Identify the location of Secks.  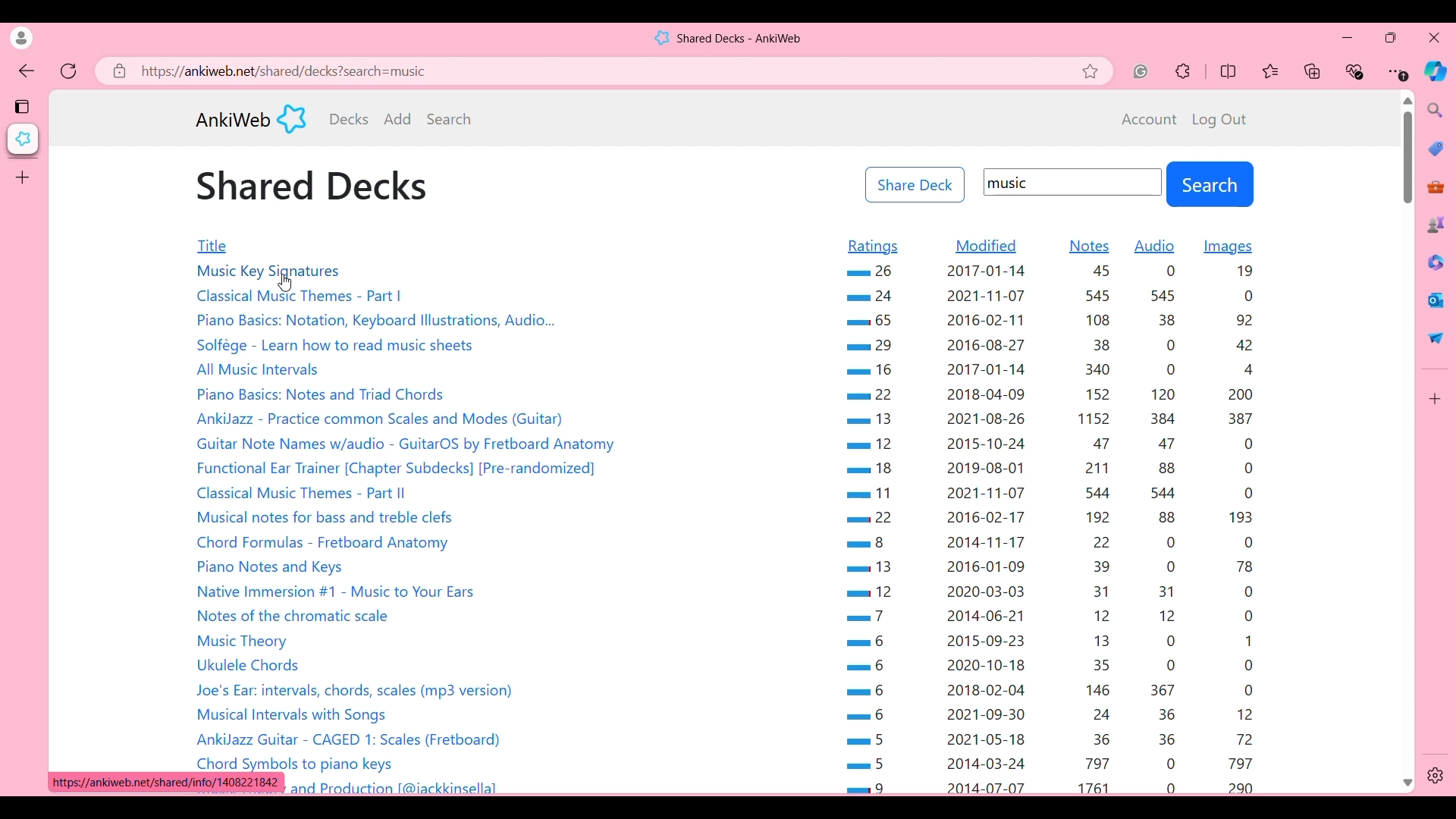
(349, 119).